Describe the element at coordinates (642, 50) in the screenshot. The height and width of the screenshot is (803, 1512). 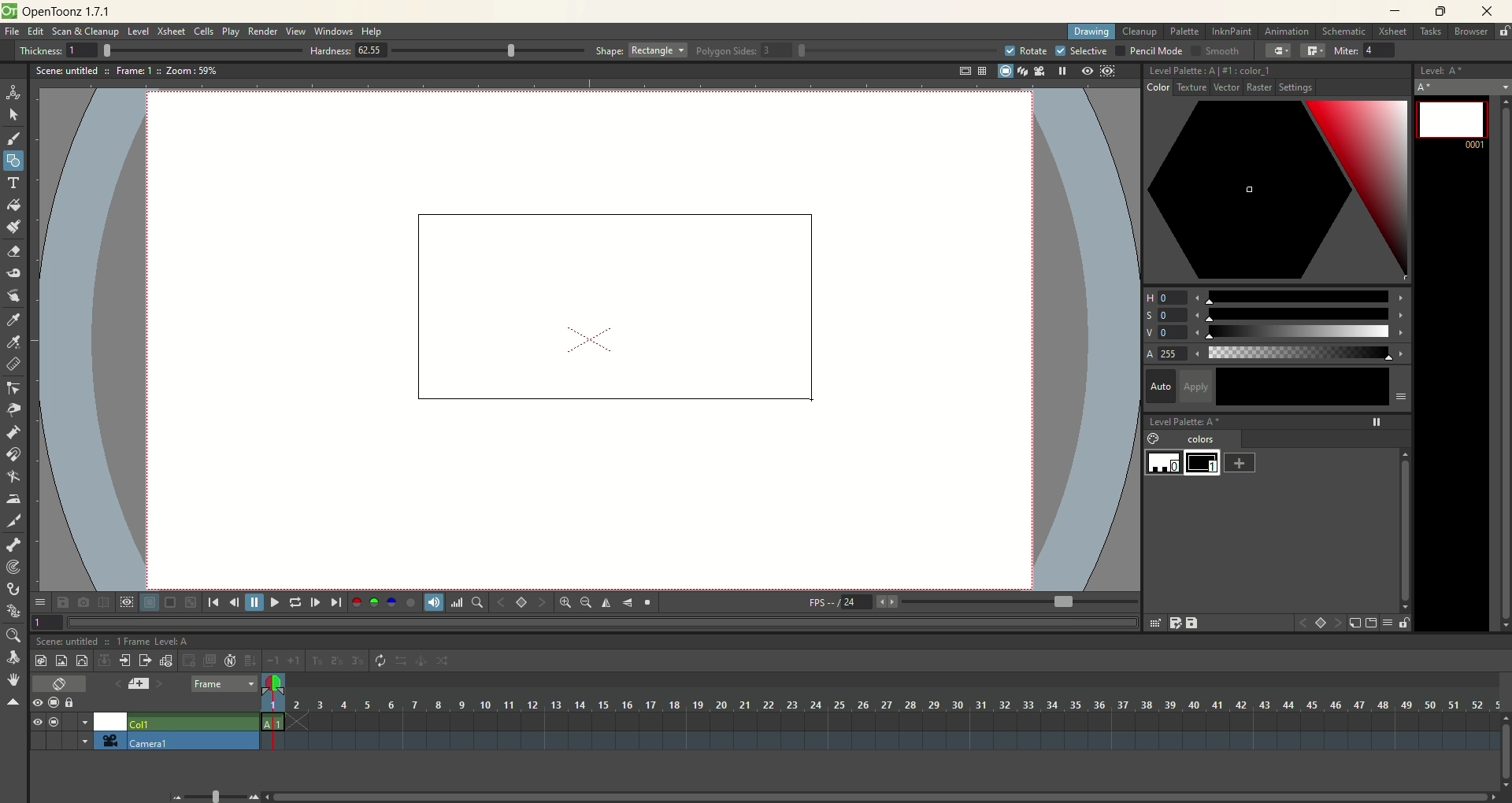
I see `shape` at that location.